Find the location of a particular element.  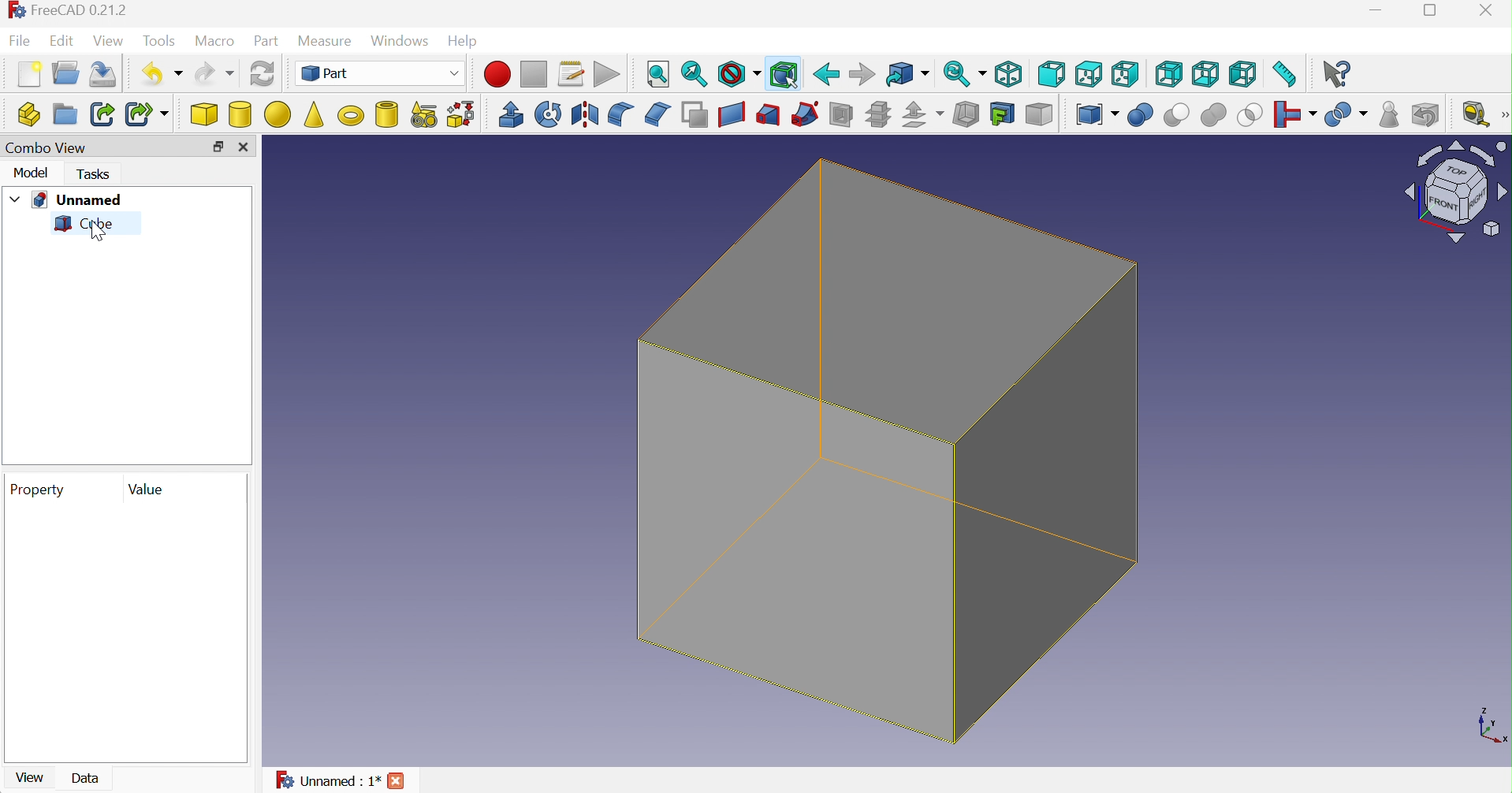

Help is located at coordinates (465, 40).